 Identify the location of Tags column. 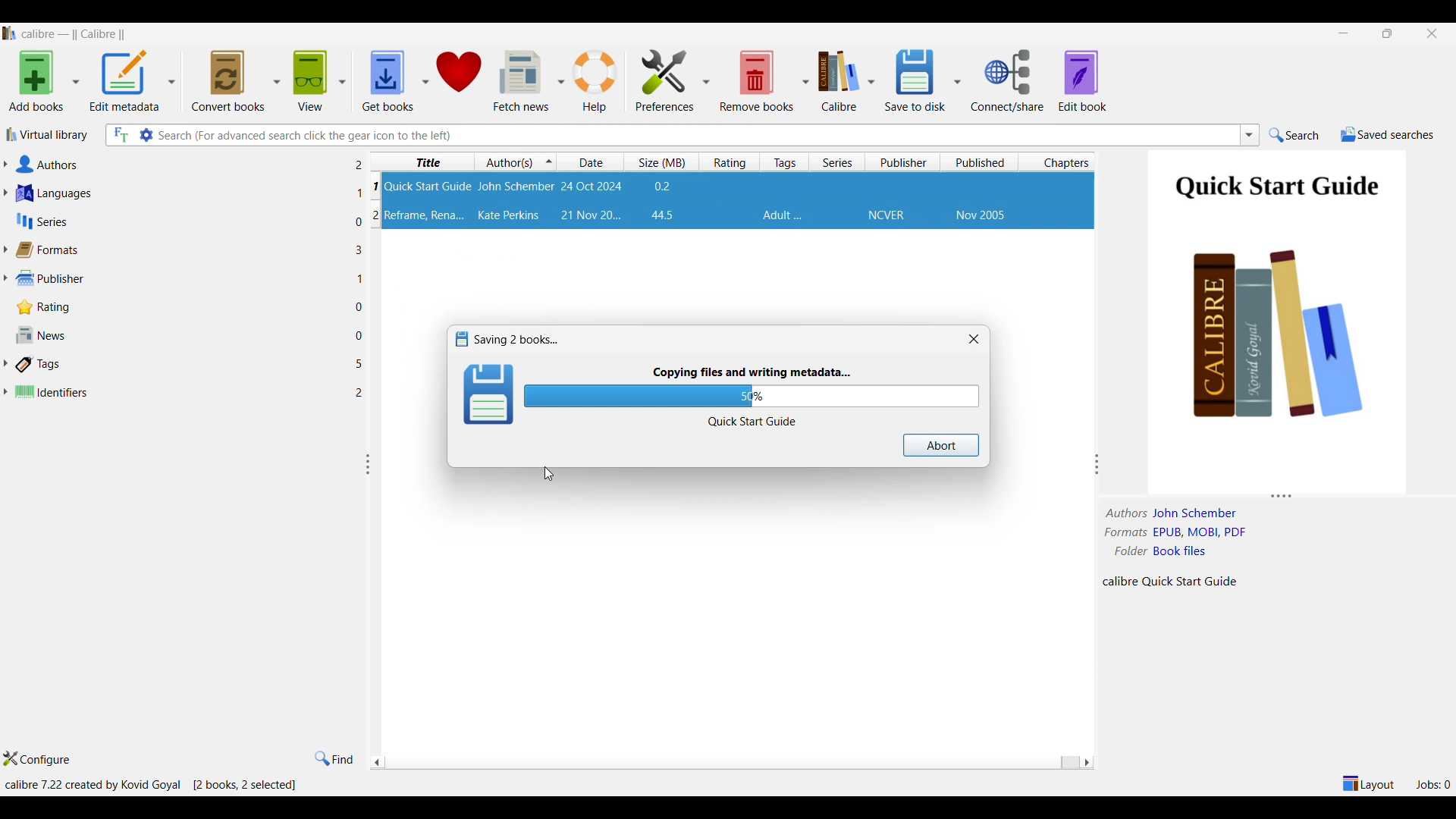
(785, 162).